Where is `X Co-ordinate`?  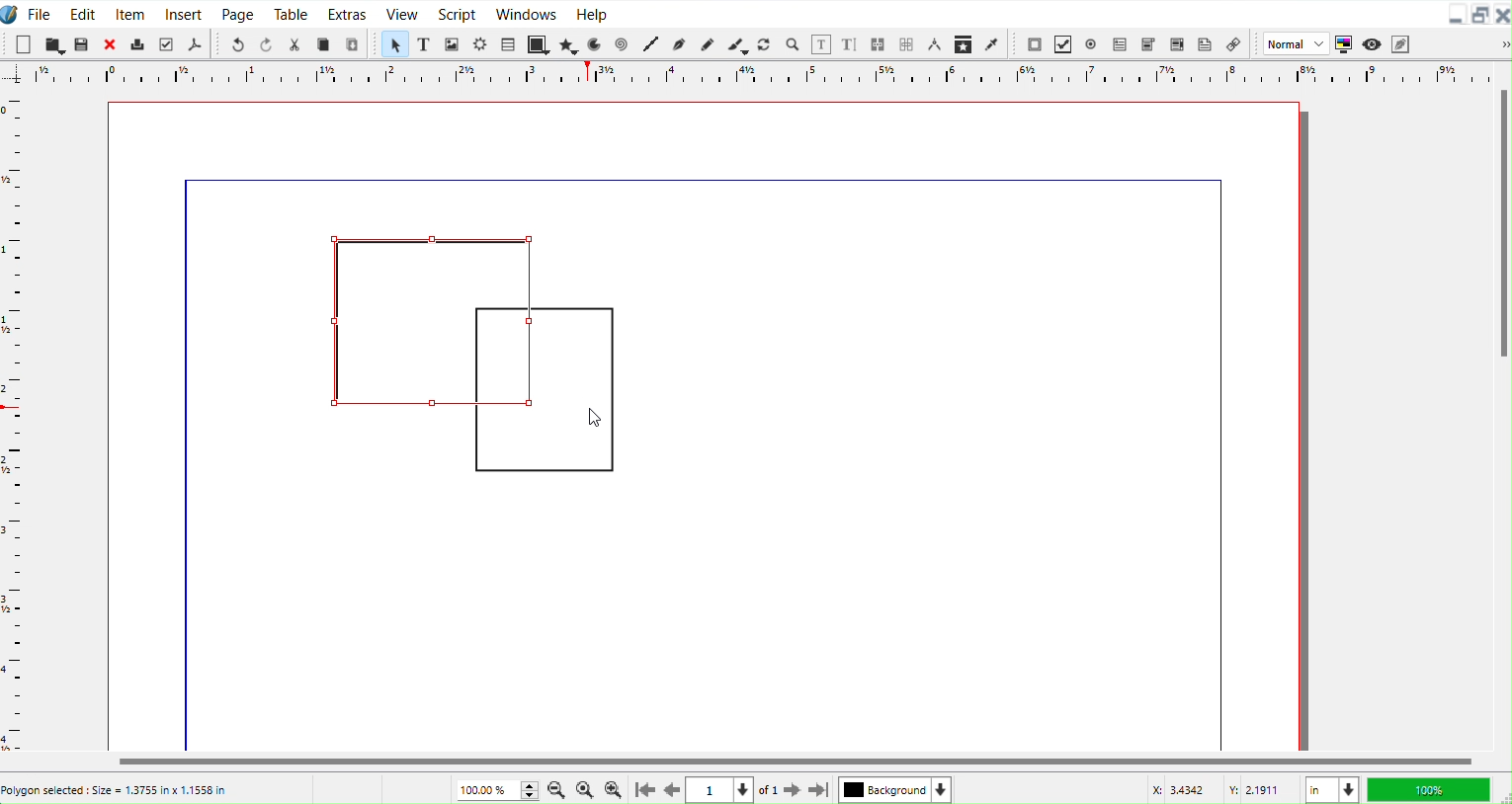 X Co-ordinate is located at coordinates (1178, 790).